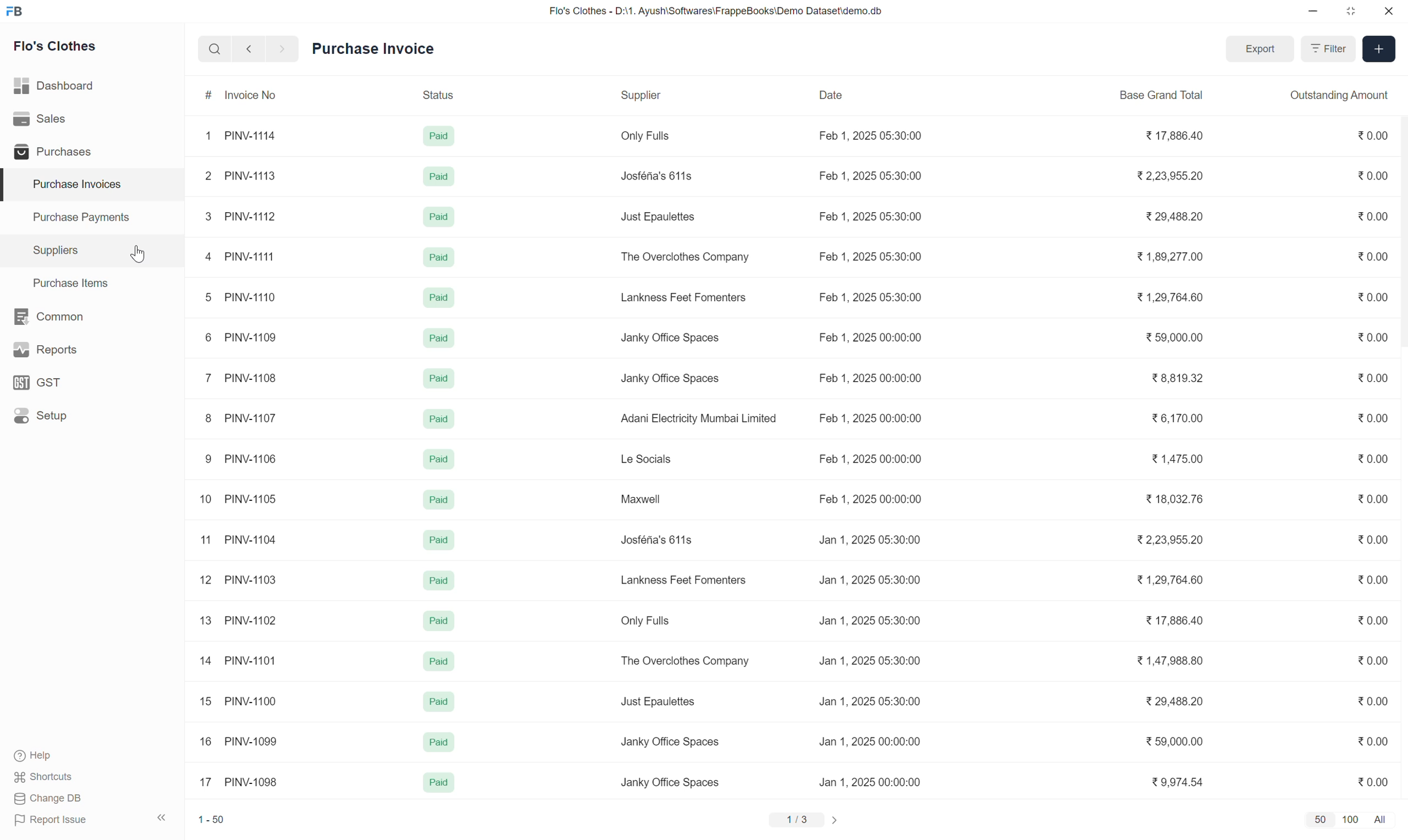 The image size is (1408, 840). What do you see at coordinates (871, 379) in the screenshot?
I see `Feb 1, 2025 00:00:00` at bounding box center [871, 379].